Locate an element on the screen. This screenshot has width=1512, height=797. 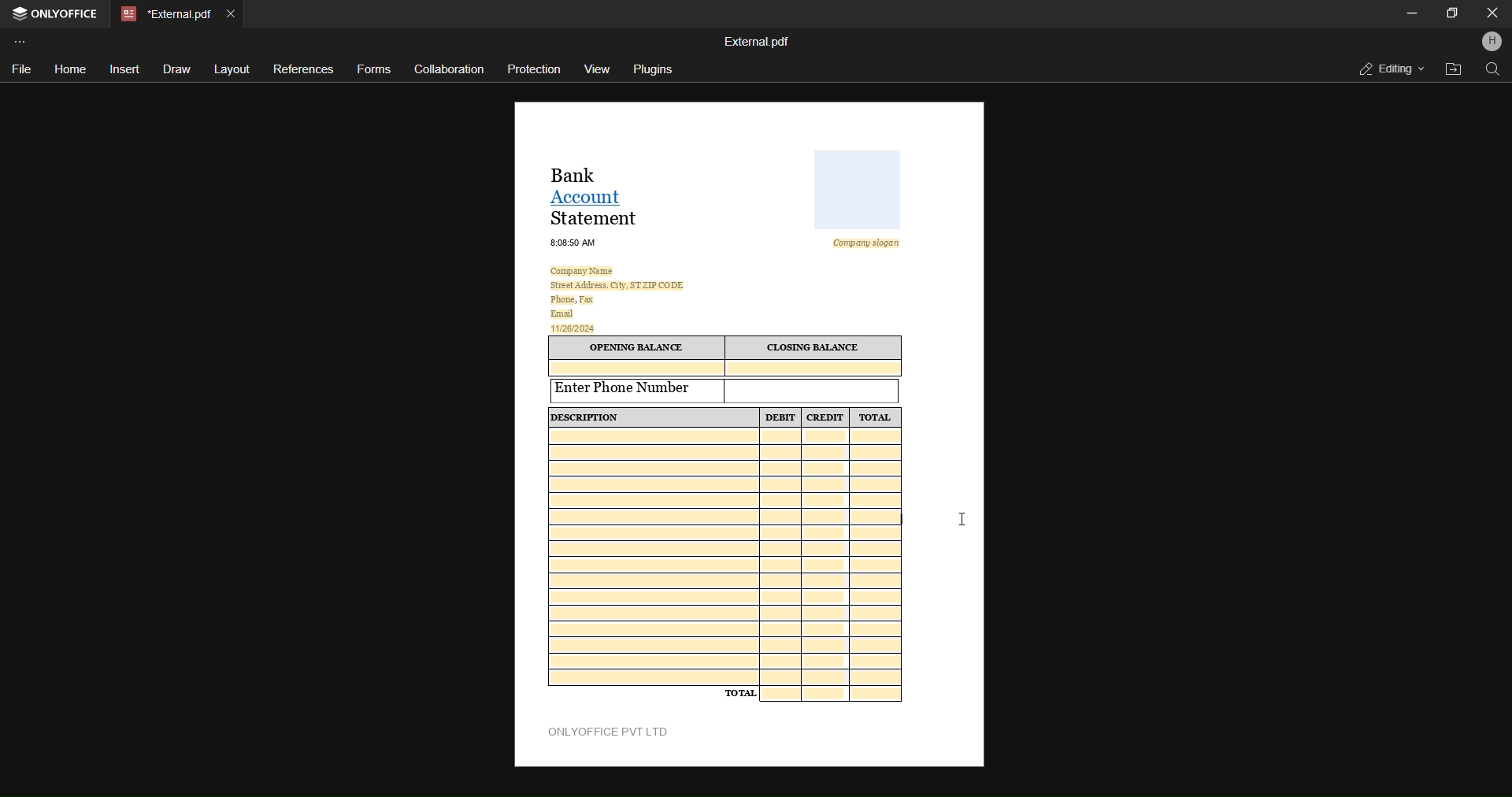
Fields is located at coordinates (833, 694).